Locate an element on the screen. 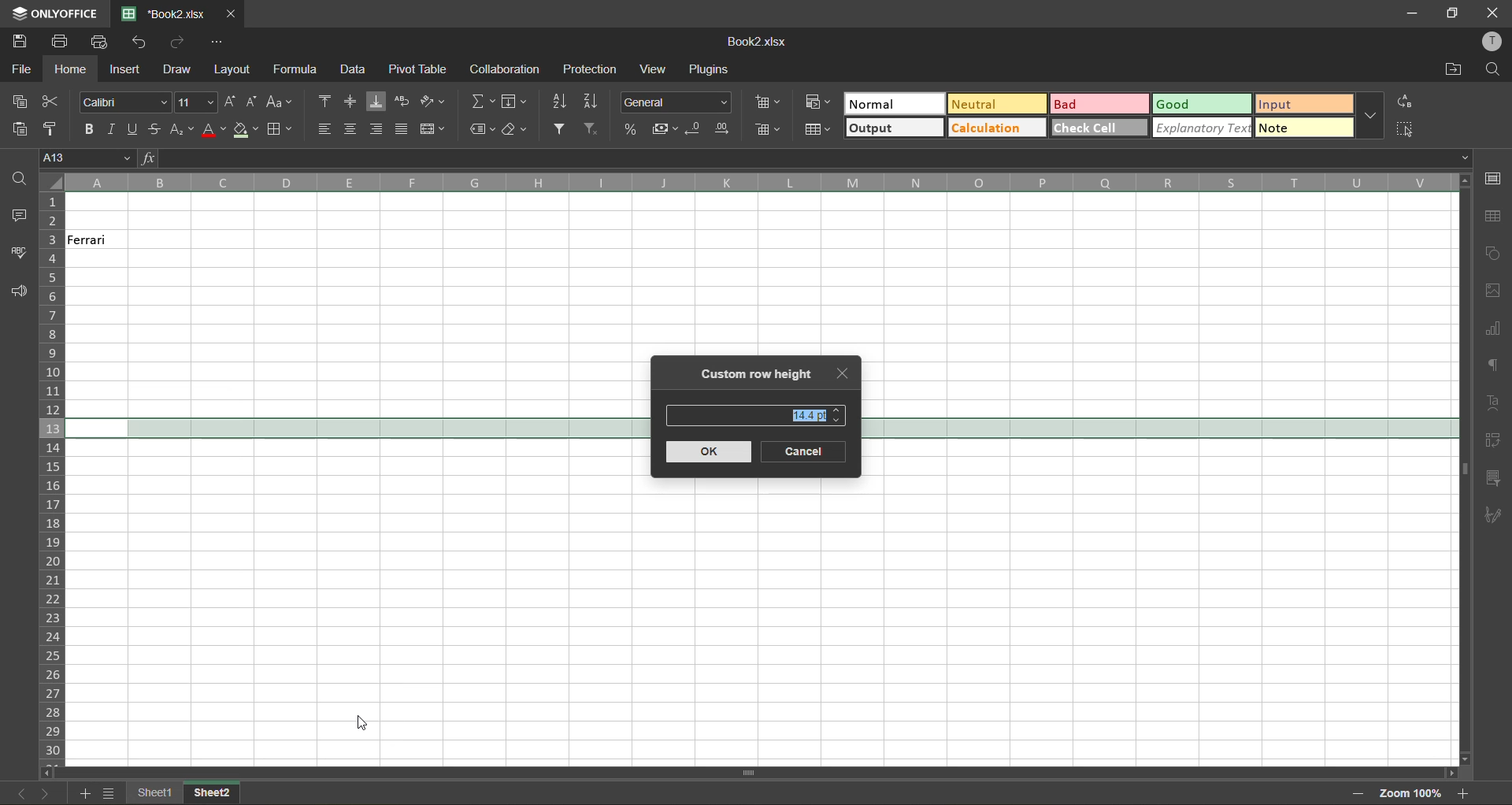  more options is located at coordinates (1371, 116).